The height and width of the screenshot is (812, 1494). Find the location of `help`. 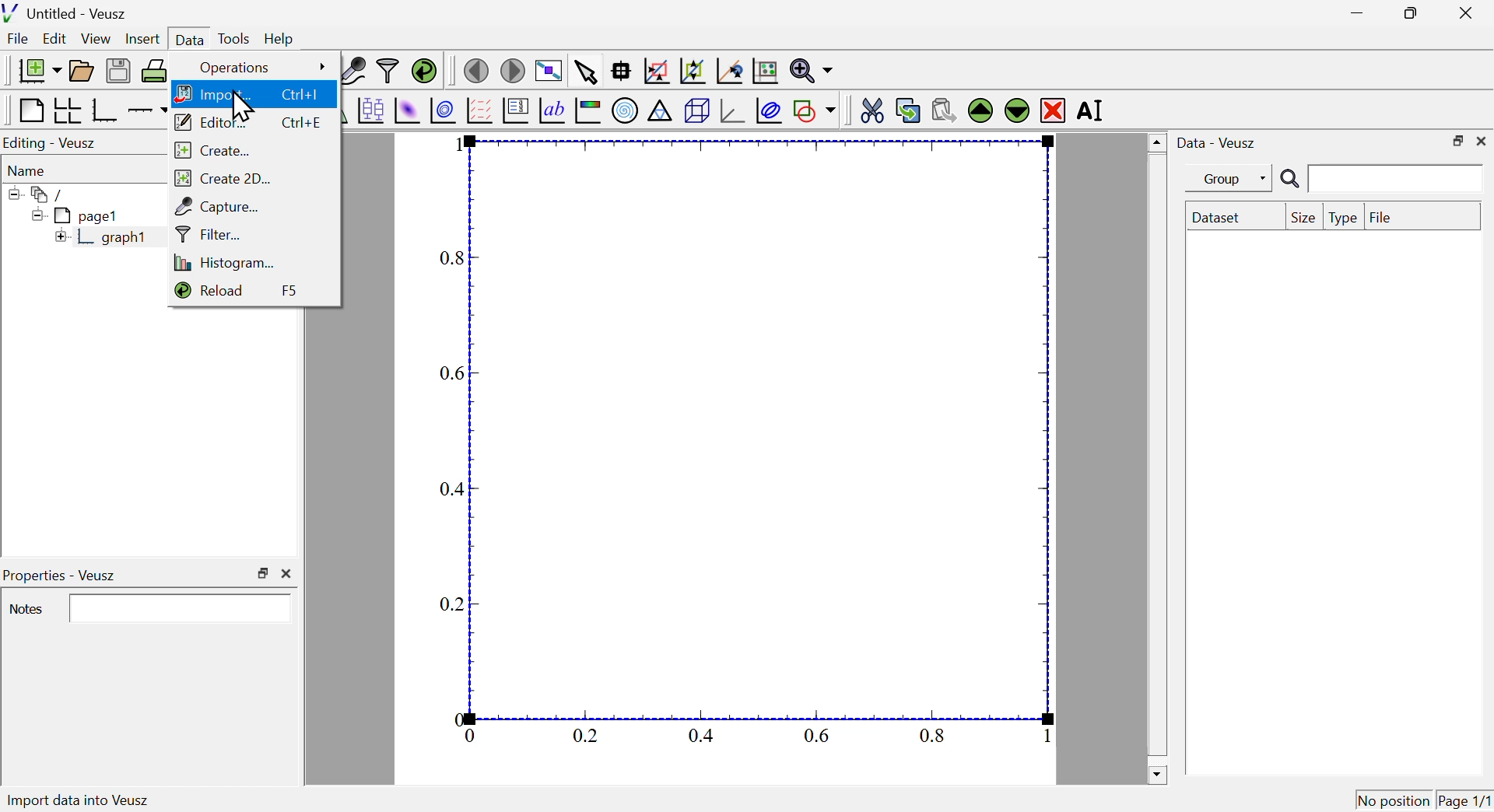

help is located at coordinates (279, 40).